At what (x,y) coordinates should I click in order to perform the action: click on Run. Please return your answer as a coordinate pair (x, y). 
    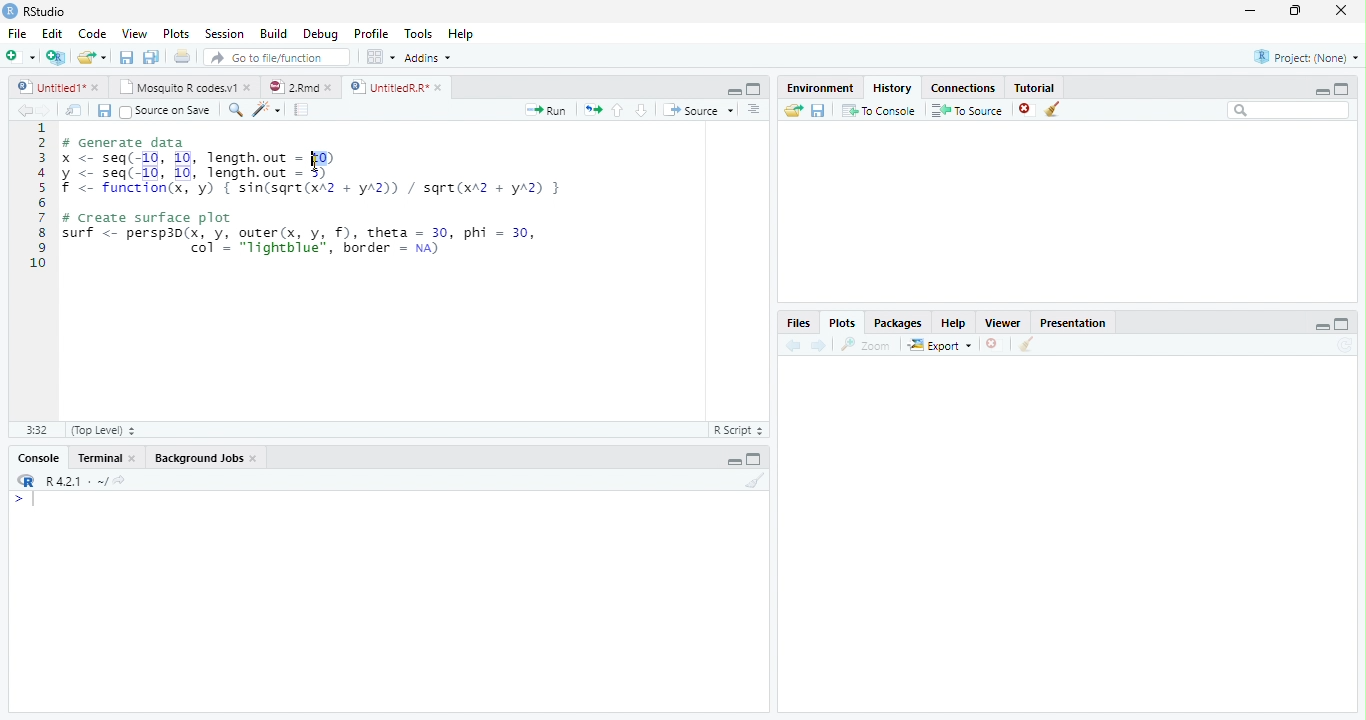
    Looking at the image, I should click on (544, 110).